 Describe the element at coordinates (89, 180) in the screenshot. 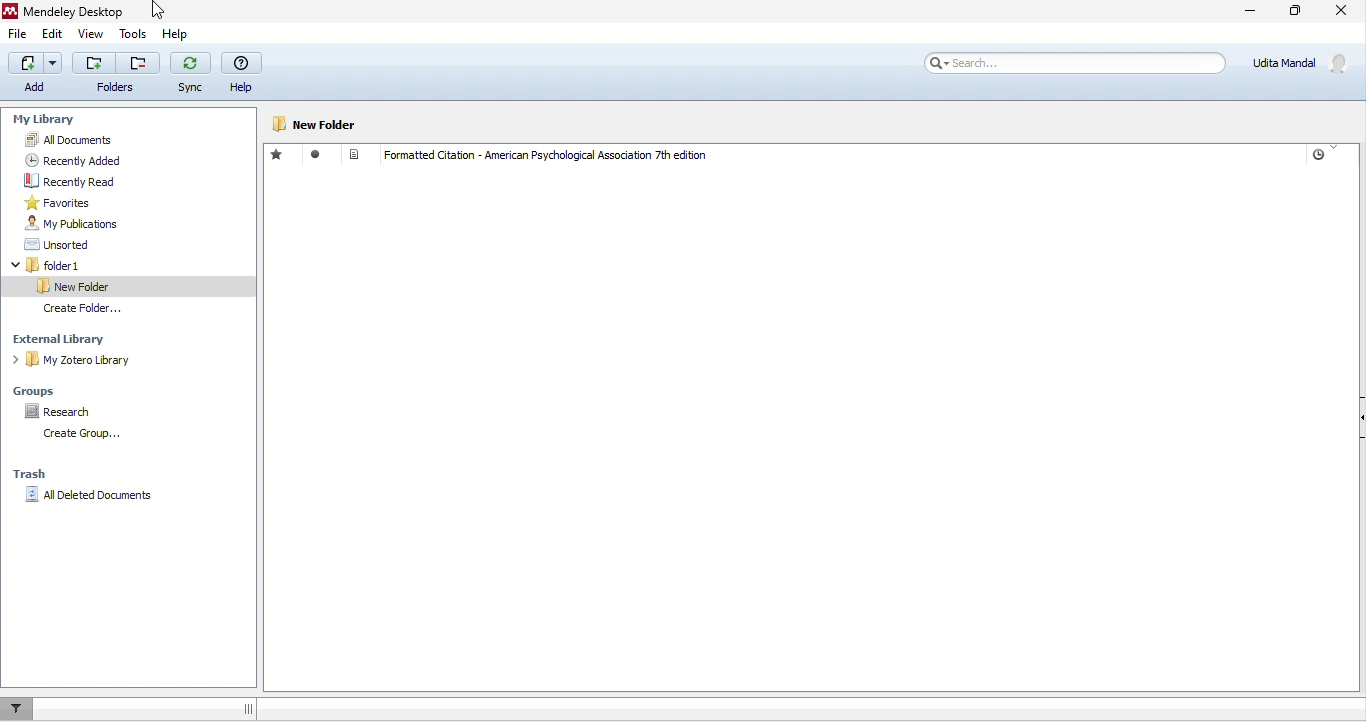

I see `recently read` at that location.